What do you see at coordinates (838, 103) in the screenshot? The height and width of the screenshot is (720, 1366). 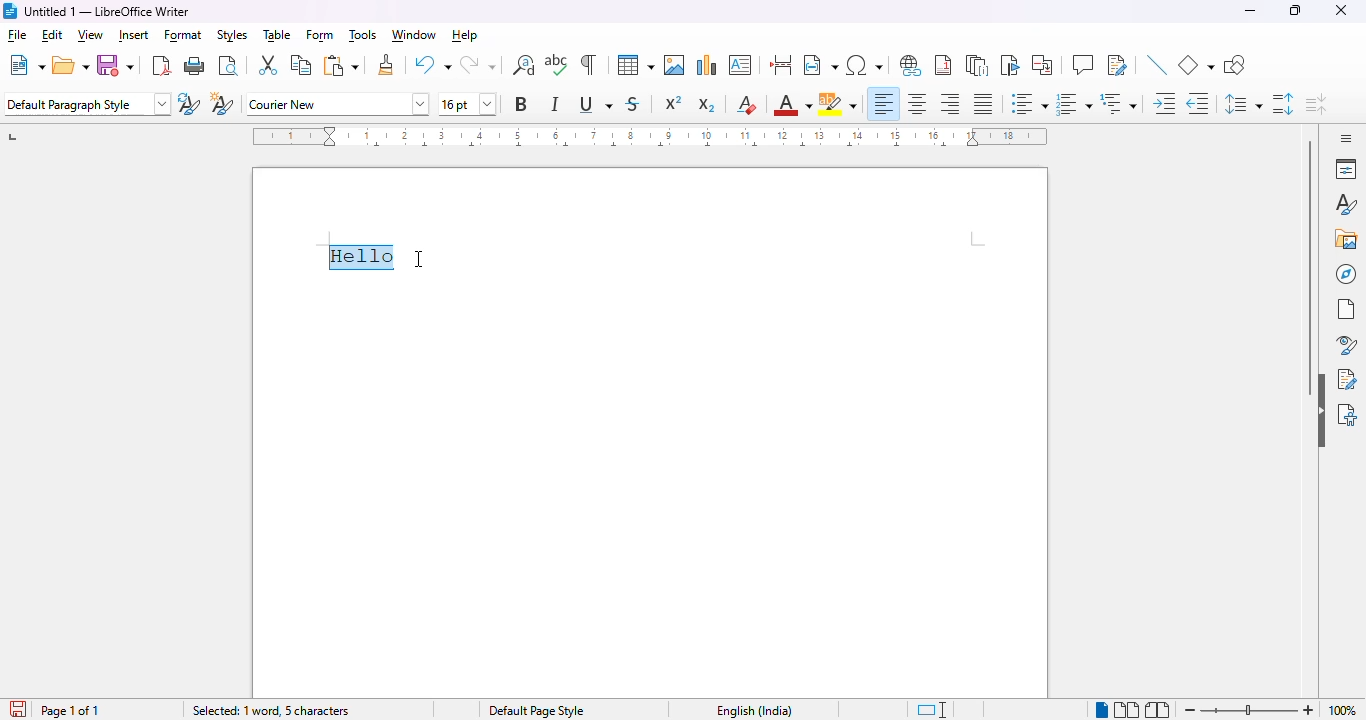 I see `character highlighting color` at bounding box center [838, 103].